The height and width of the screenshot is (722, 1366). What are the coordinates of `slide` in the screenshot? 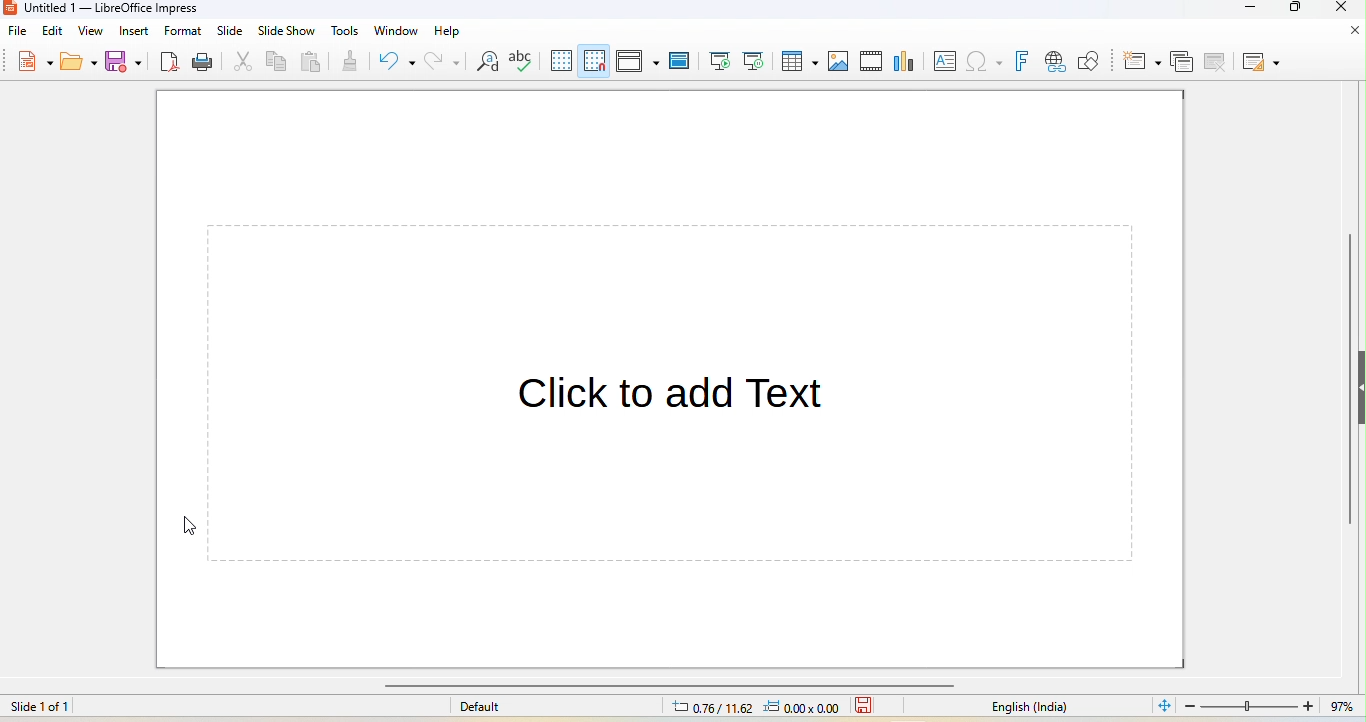 It's located at (231, 31).